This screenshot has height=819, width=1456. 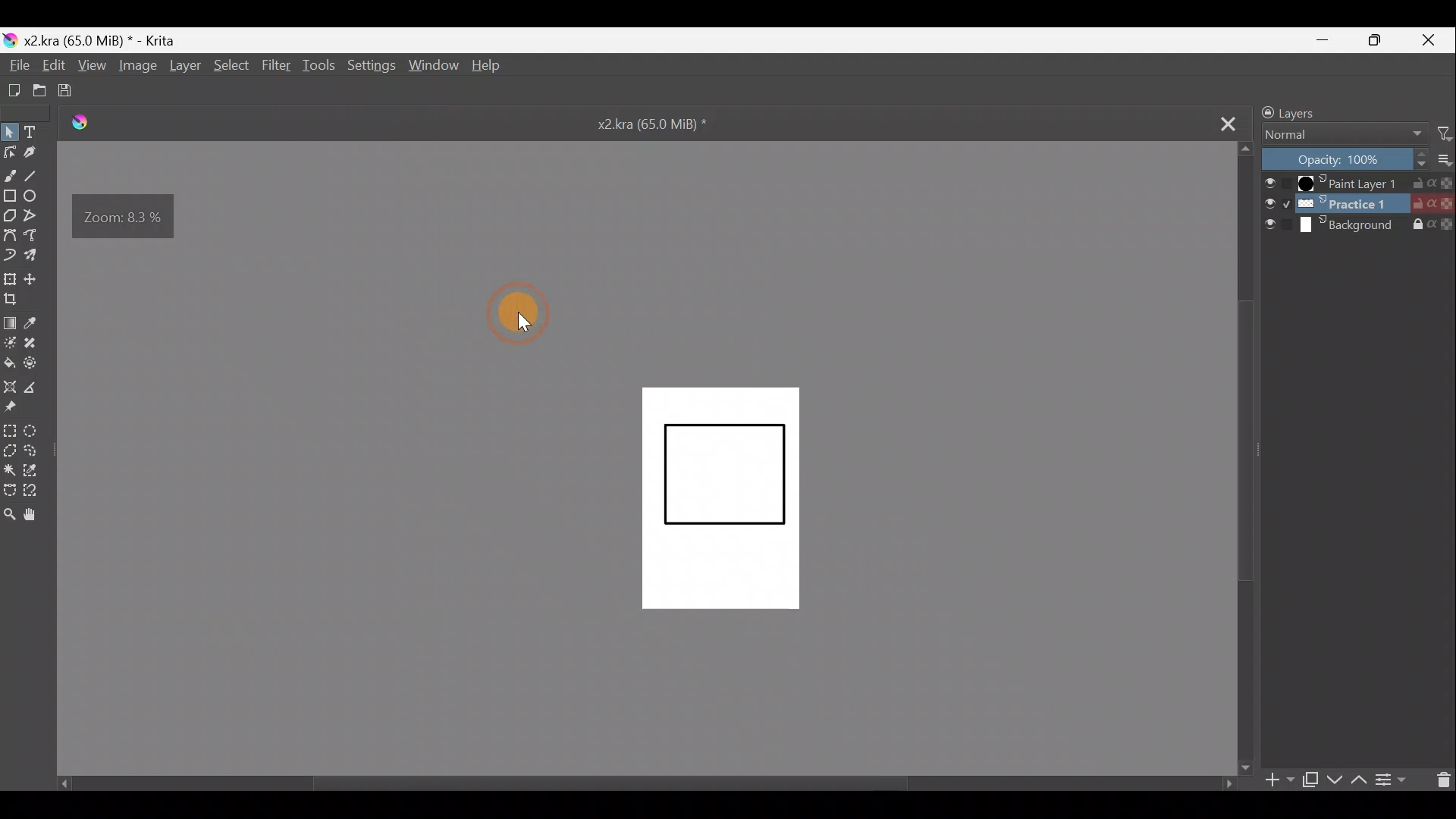 What do you see at coordinates (13, 343) in the screenshot?
I see `Colourise mask tool` at bounding box center [13, 343].